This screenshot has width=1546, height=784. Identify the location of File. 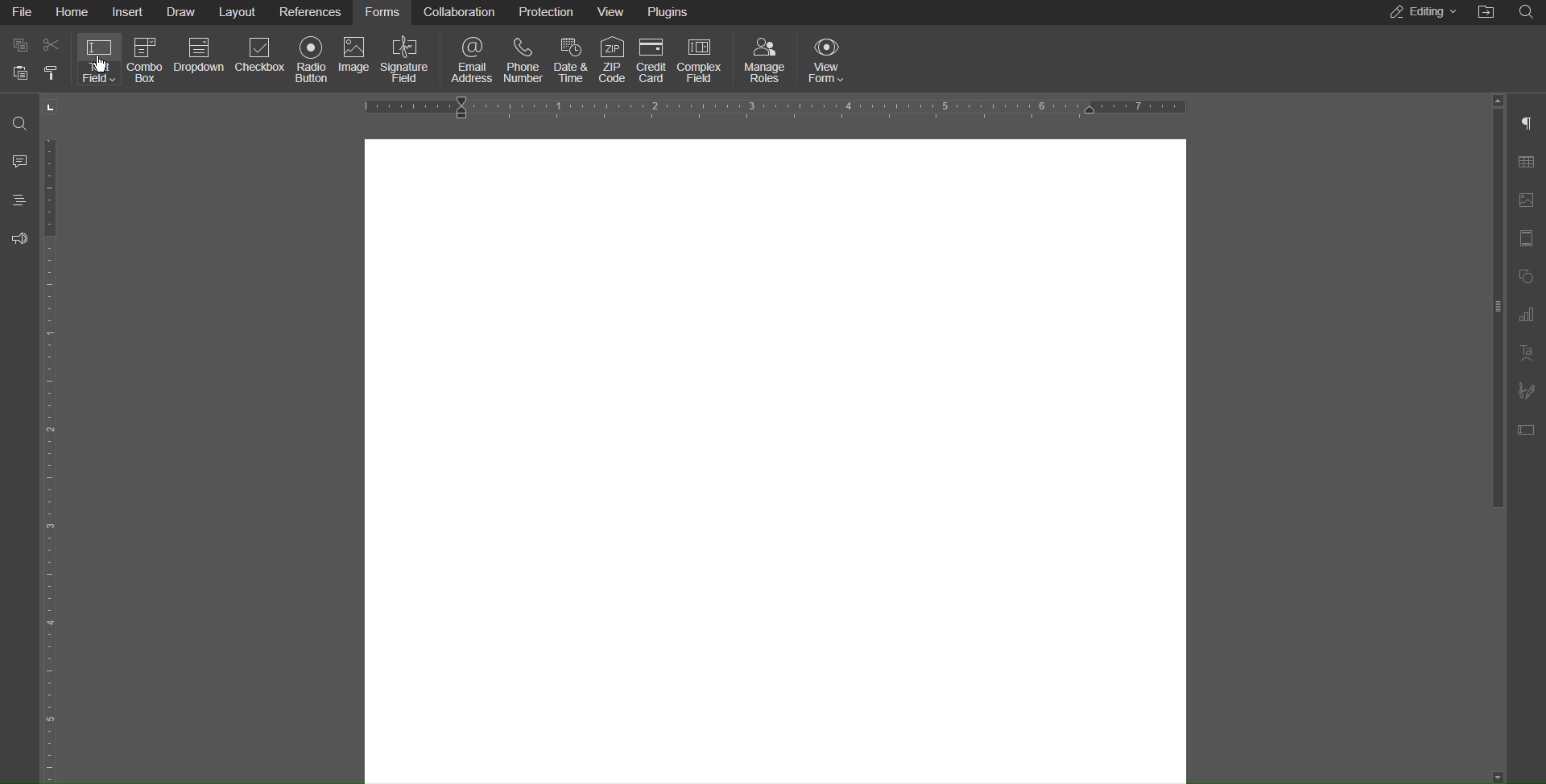
(20, 12).